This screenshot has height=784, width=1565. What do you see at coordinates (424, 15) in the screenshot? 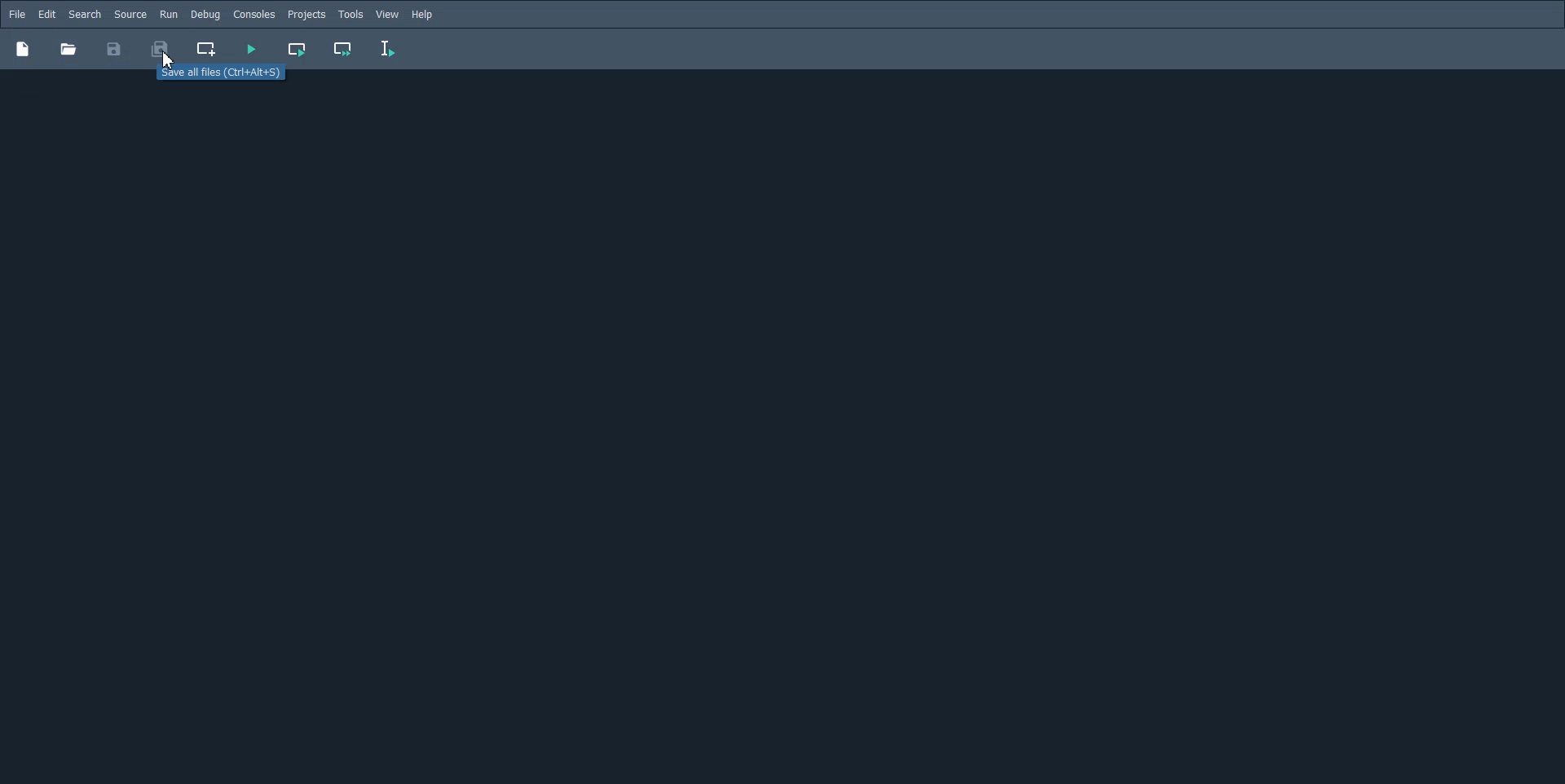
I see `Help` at bounding box center [424, 15].